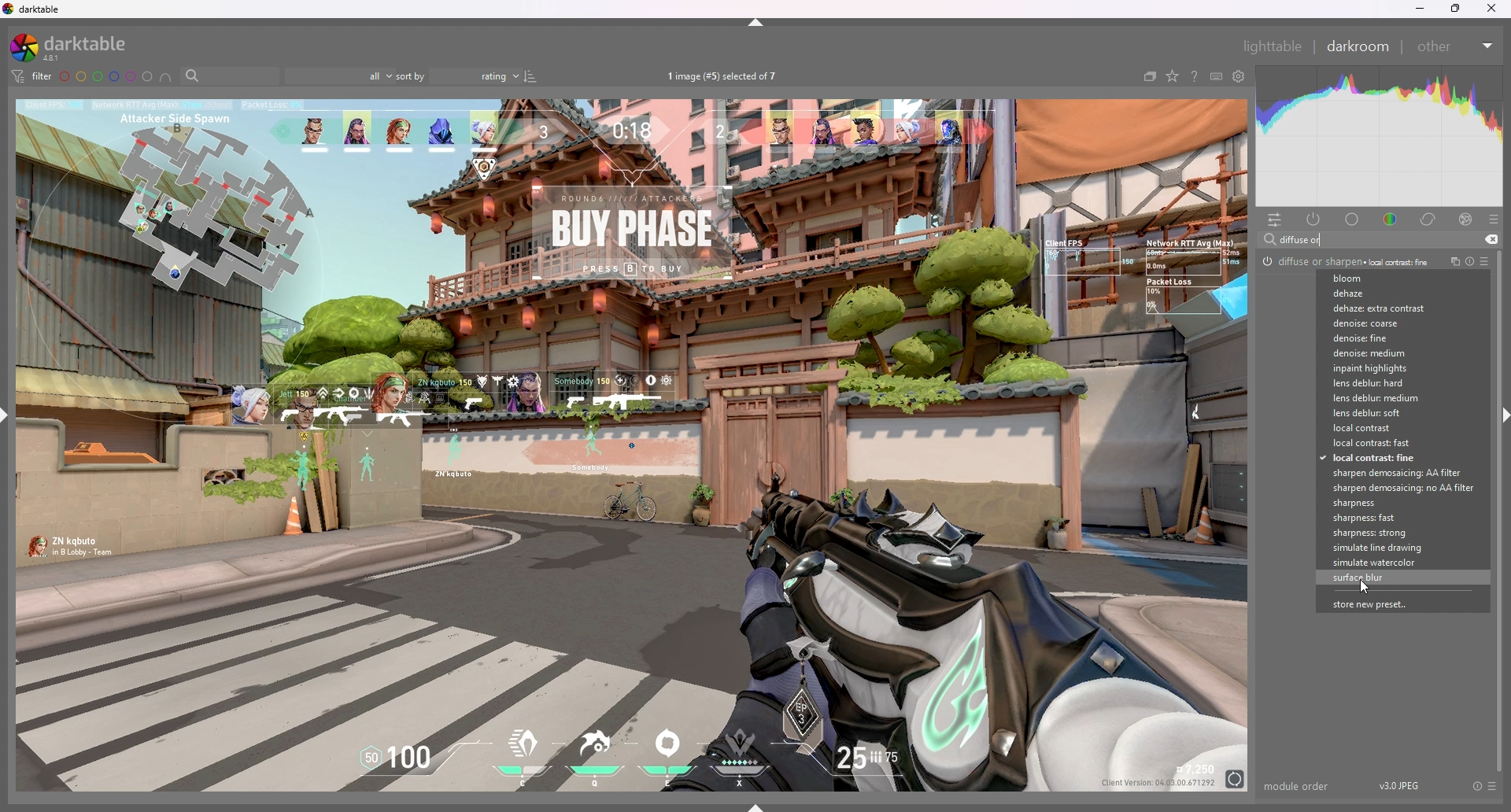 This screenshot has width=1511, height=812. What do you see at coordinates (1429, 219) in the screenshot?
I see `correct` at bounding box center [1429, 219].